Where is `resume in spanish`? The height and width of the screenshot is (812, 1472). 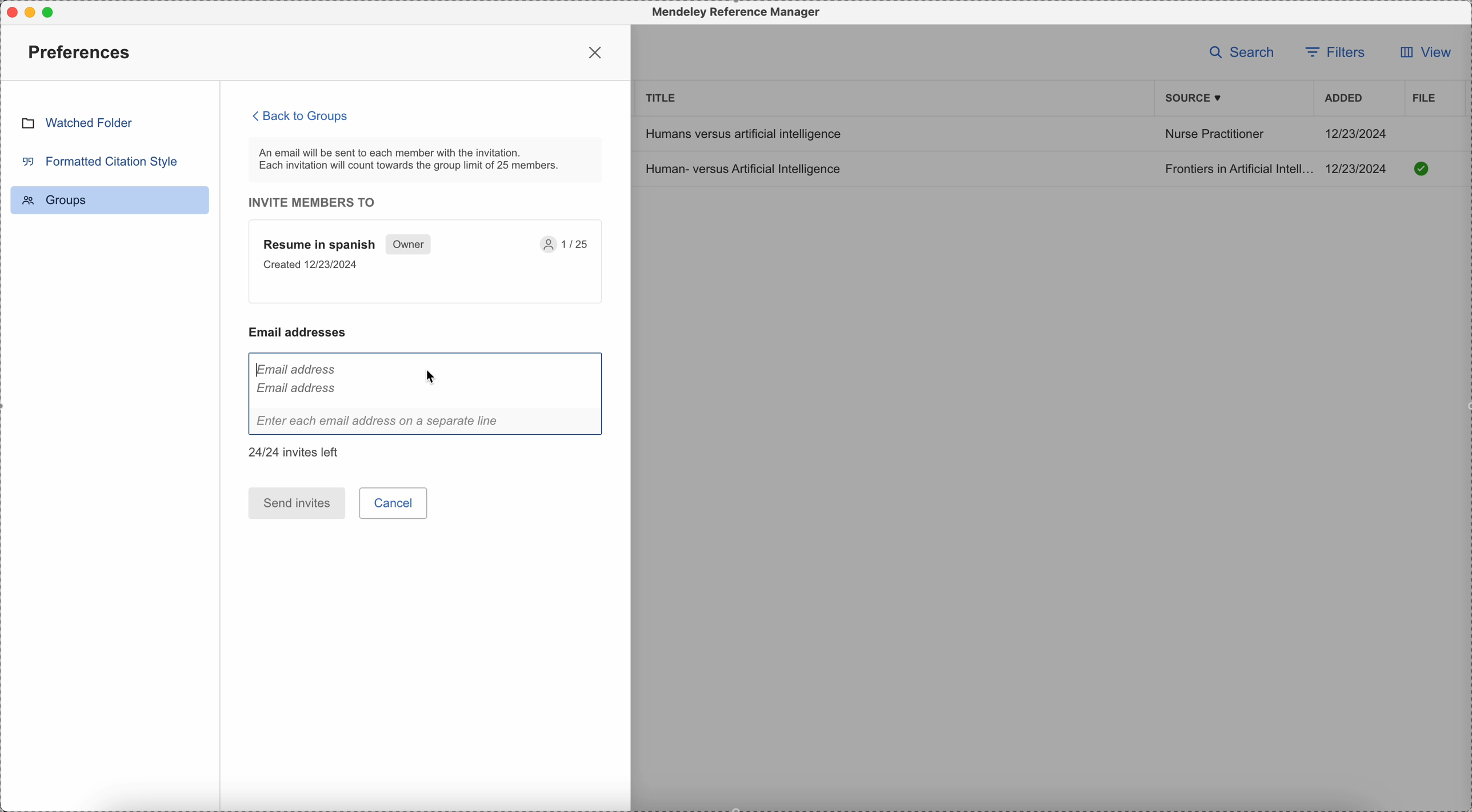
resume in spanish is located at coordinates (426, 262).